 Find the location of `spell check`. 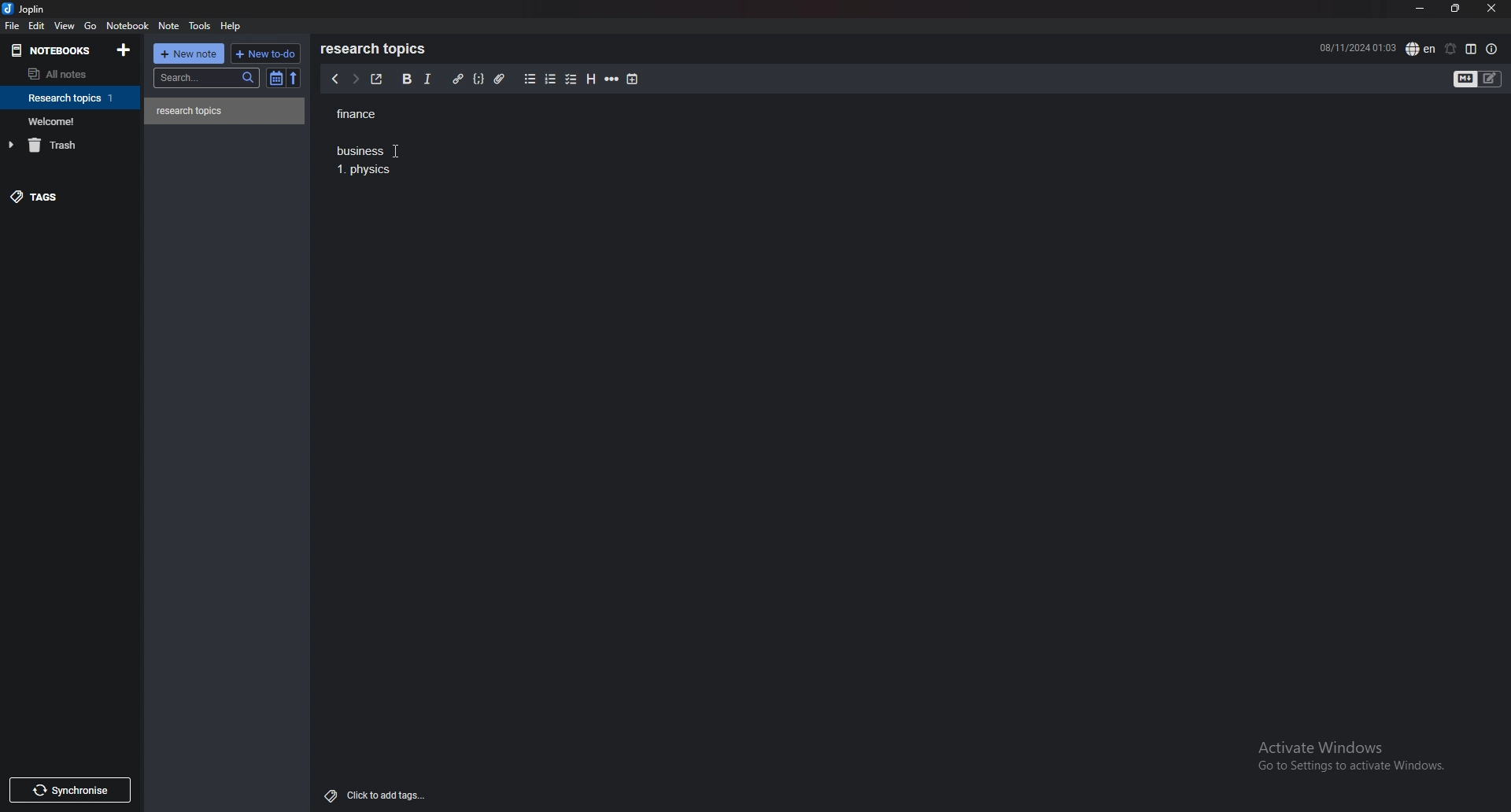

spell check is located at coordinates (1420, 48).